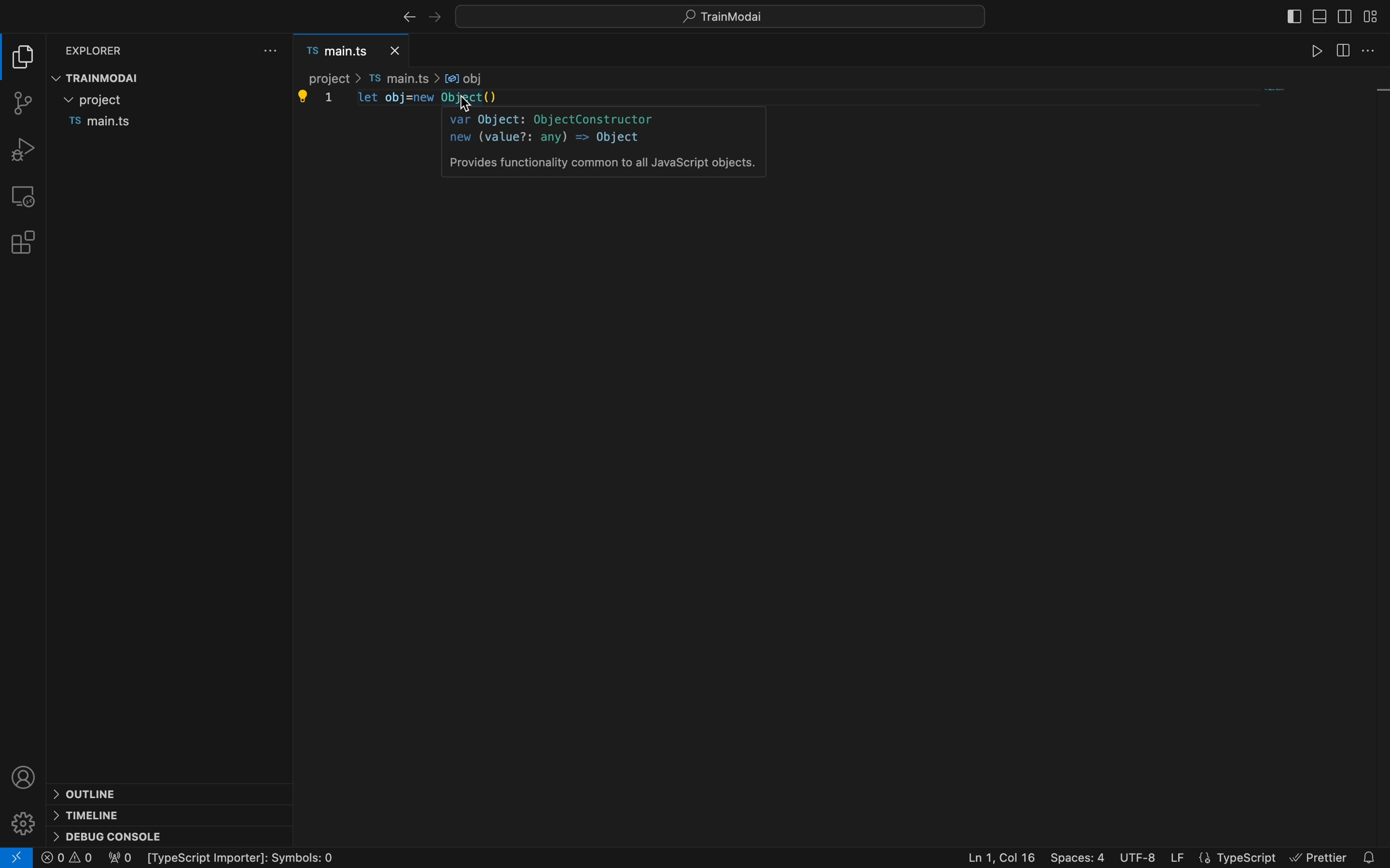  What do you see at coordinates (995, 856) in the screenshot?
I see `Ln 1, Col 16` at bounding box center [995, 856].